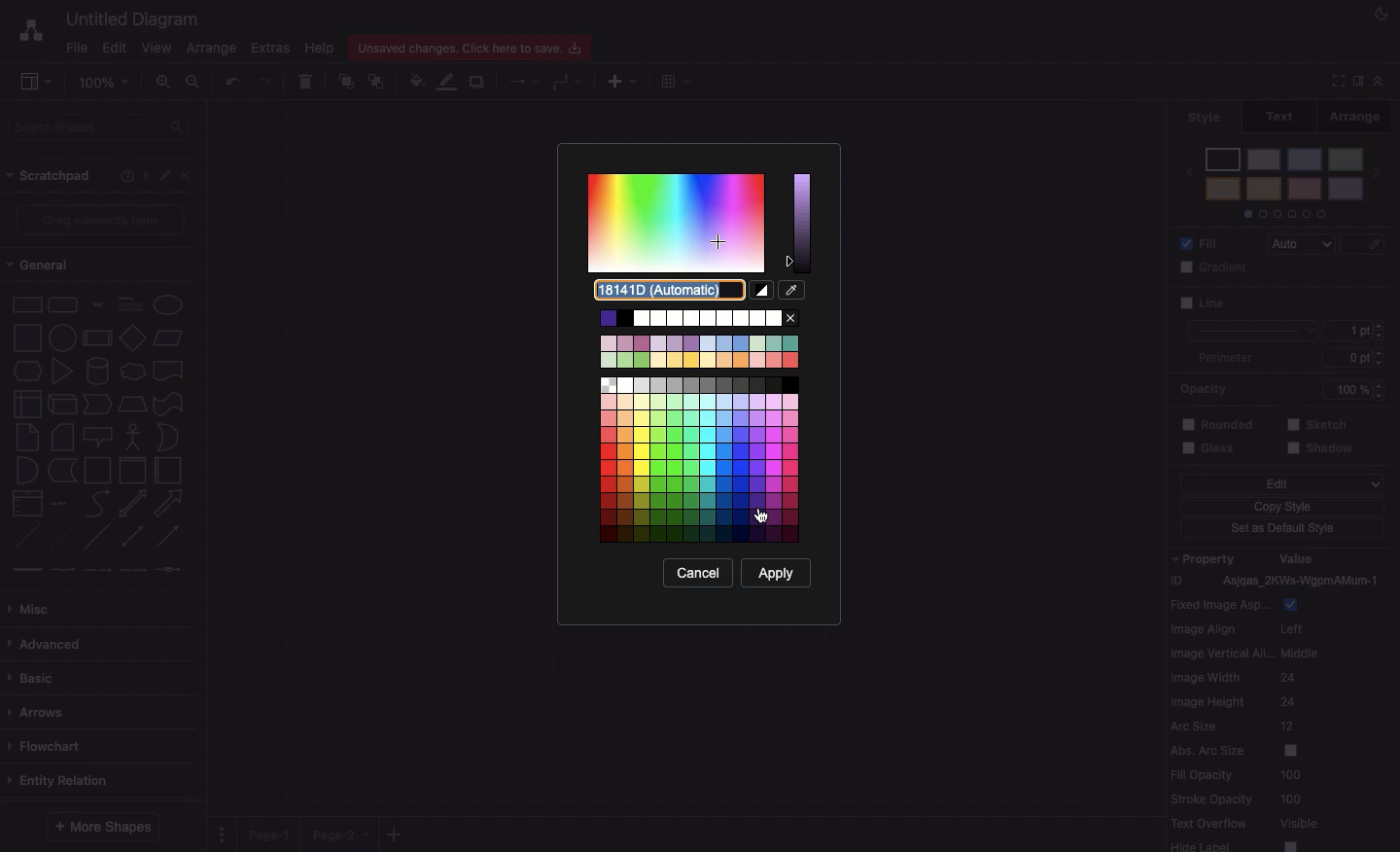 The image size is (1400, 852). Describe the element at coordinates (97, 503) in the screenshot. I see `curve` at that location.